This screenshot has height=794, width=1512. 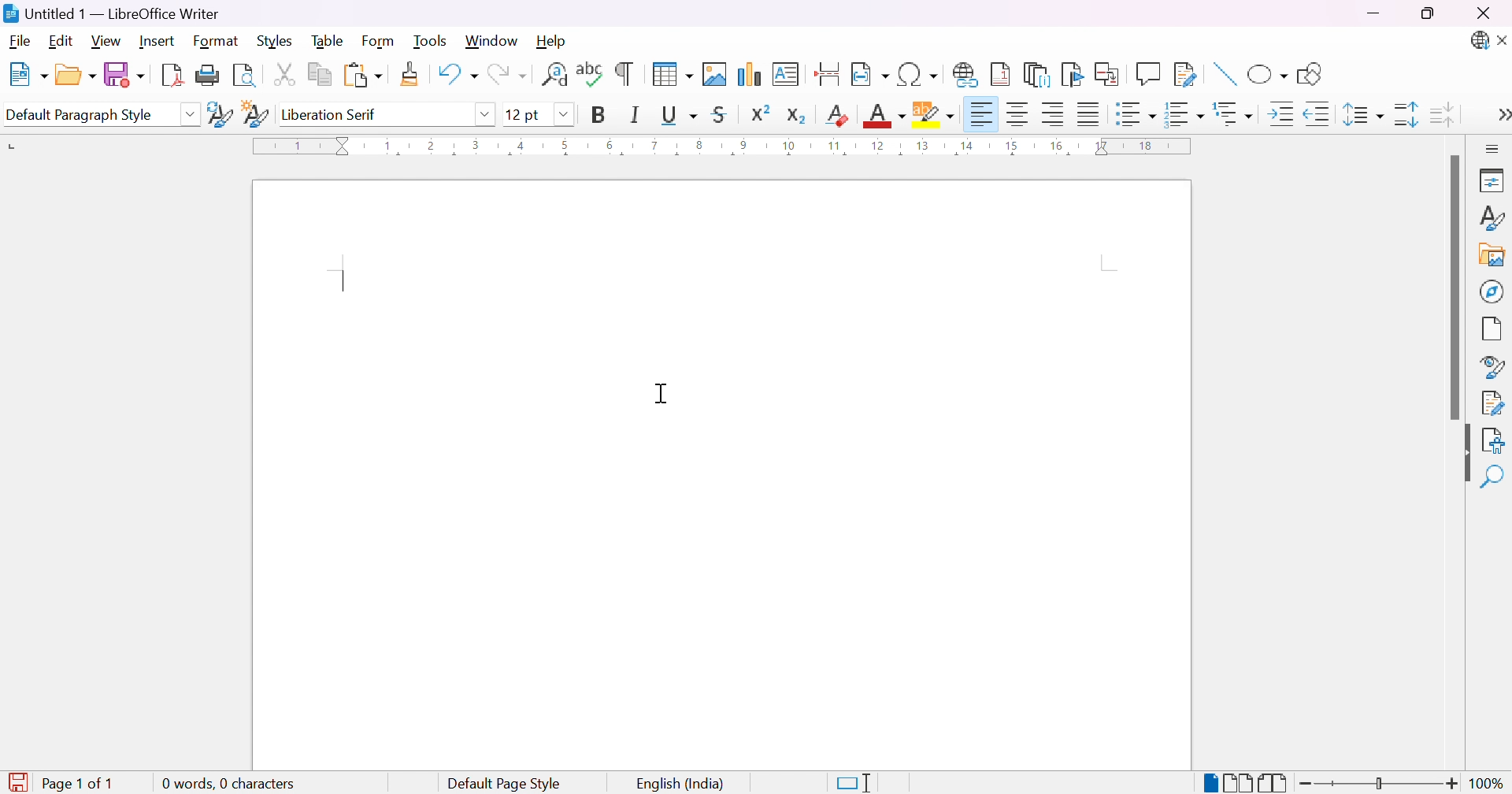 What do you see at coordinates (504, 784) in the screenshot?
I see `Default page style` at bounding box center [504, 784].